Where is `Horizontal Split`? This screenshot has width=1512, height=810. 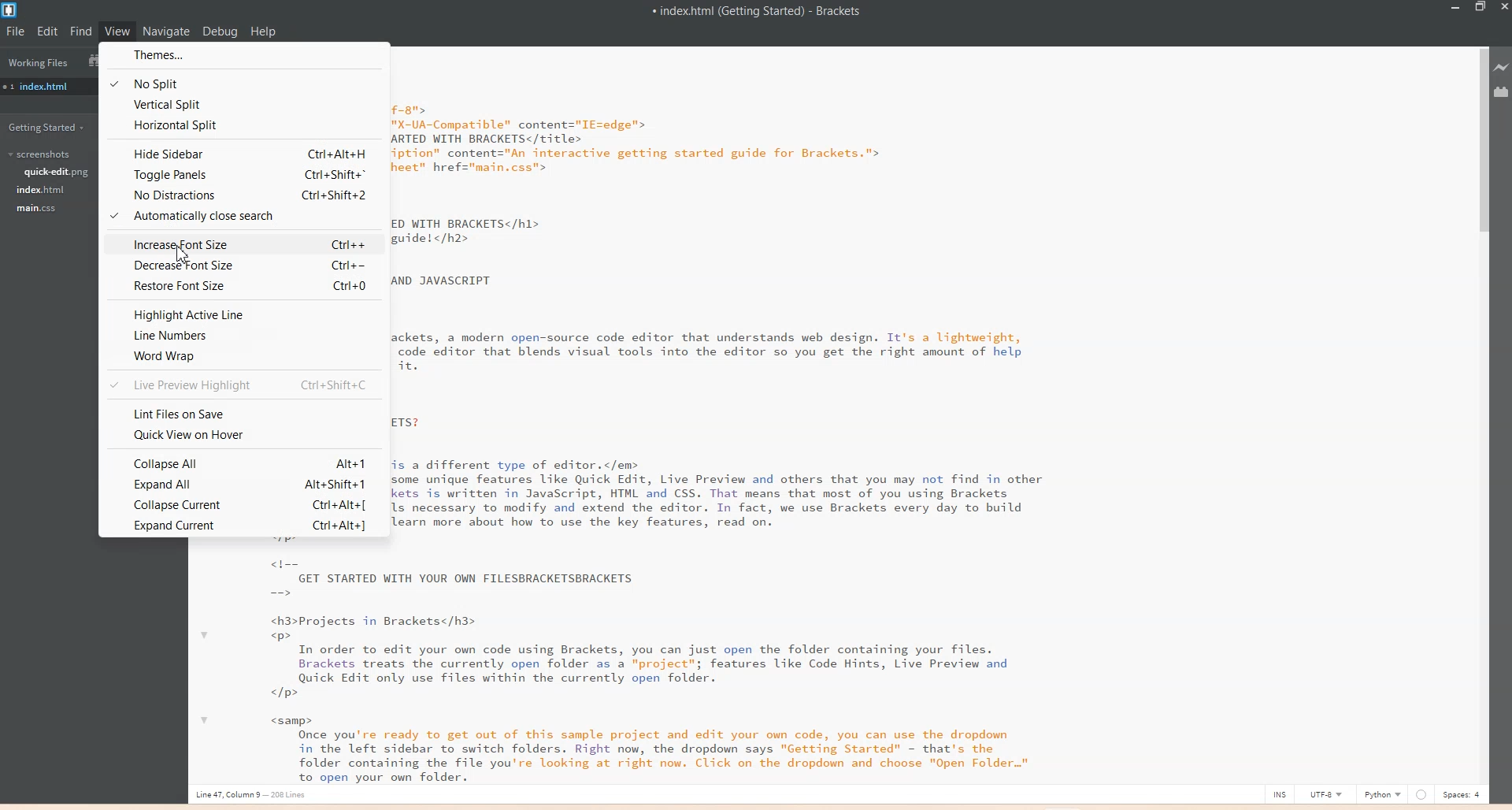 Horizontal Split is located at coordinates (244, 125).